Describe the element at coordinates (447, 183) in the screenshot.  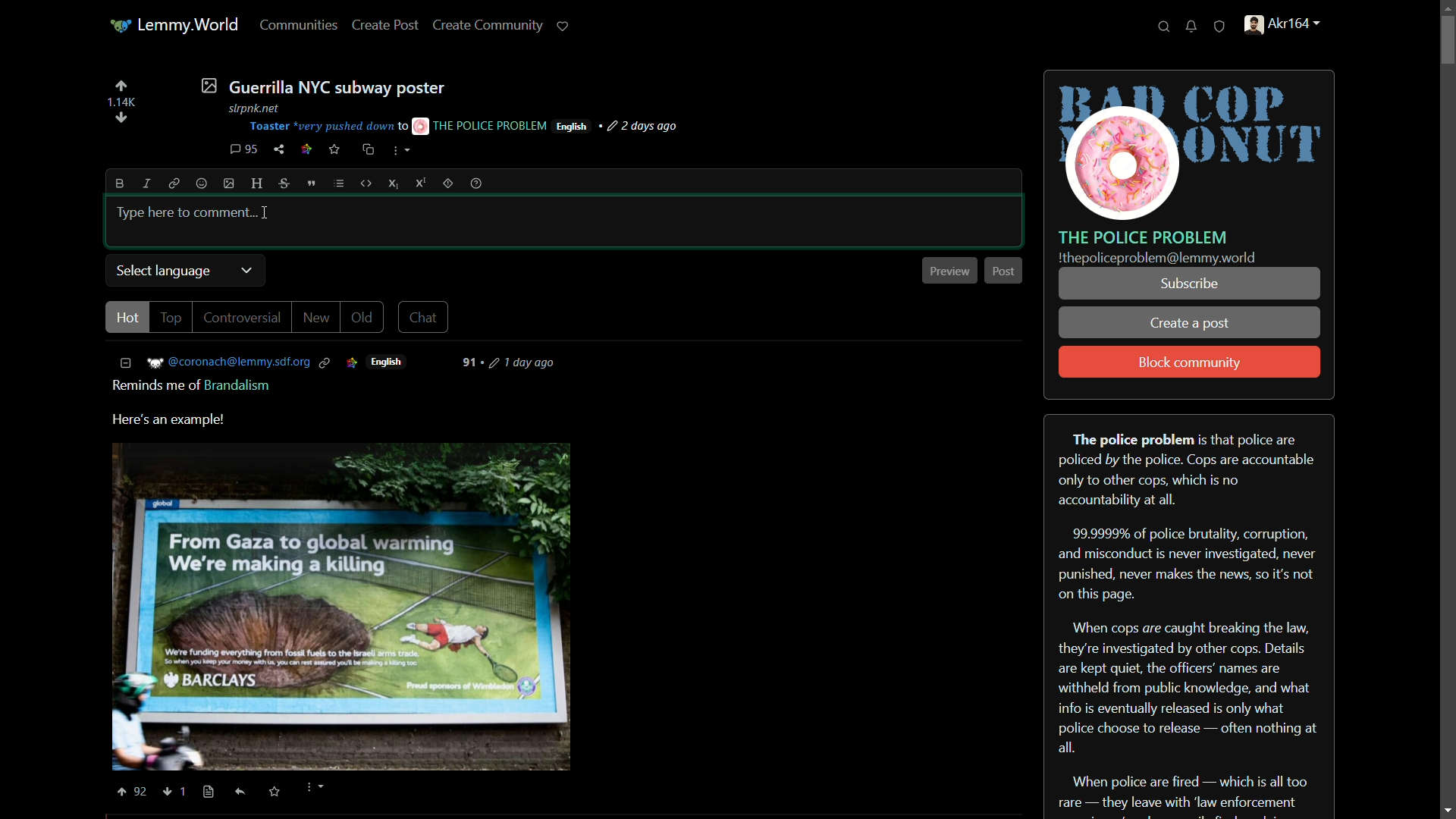
I see `spoiler` at that location.